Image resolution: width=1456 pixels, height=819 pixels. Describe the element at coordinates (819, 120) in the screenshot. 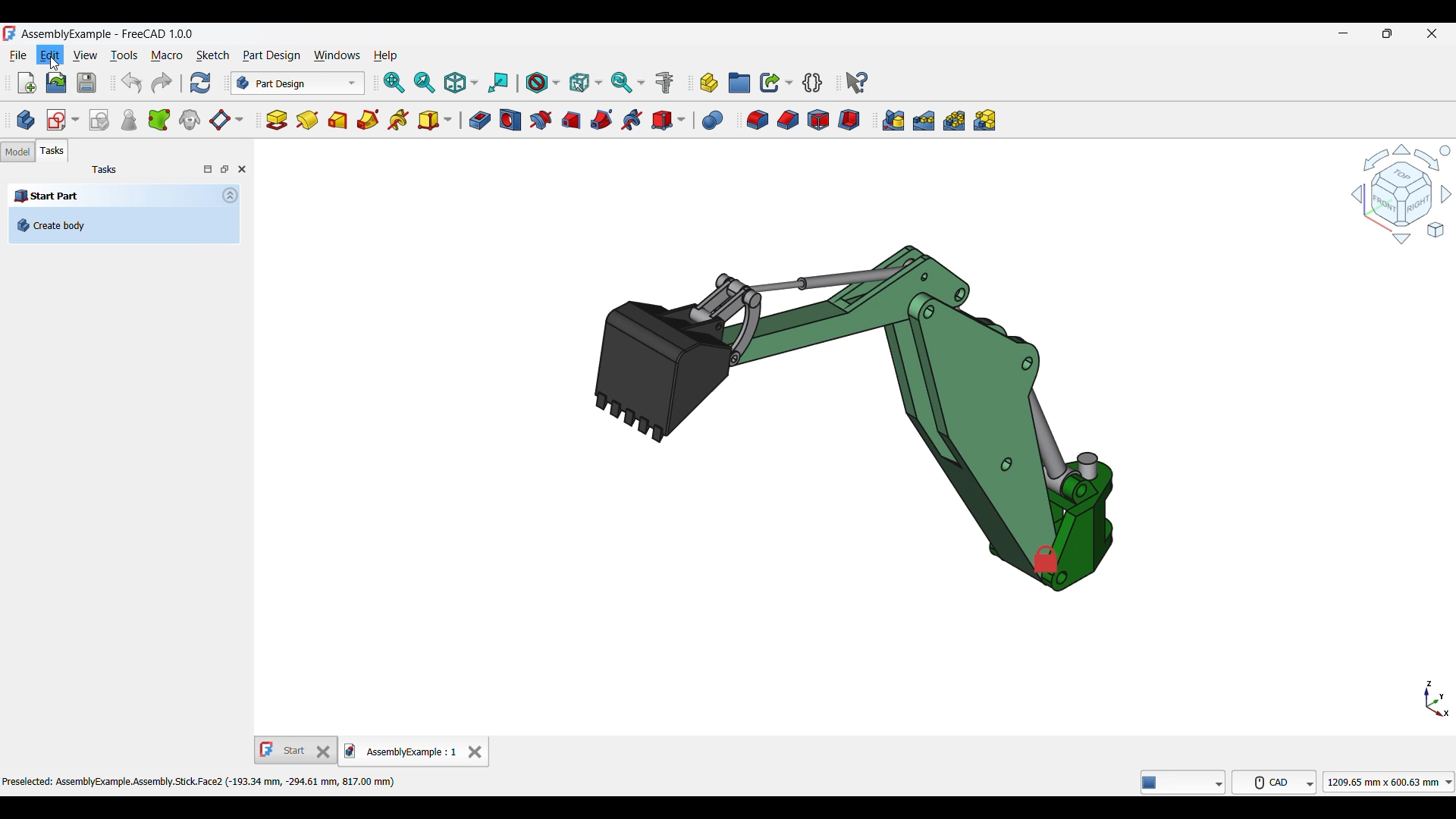

I see `Draft` at that location.